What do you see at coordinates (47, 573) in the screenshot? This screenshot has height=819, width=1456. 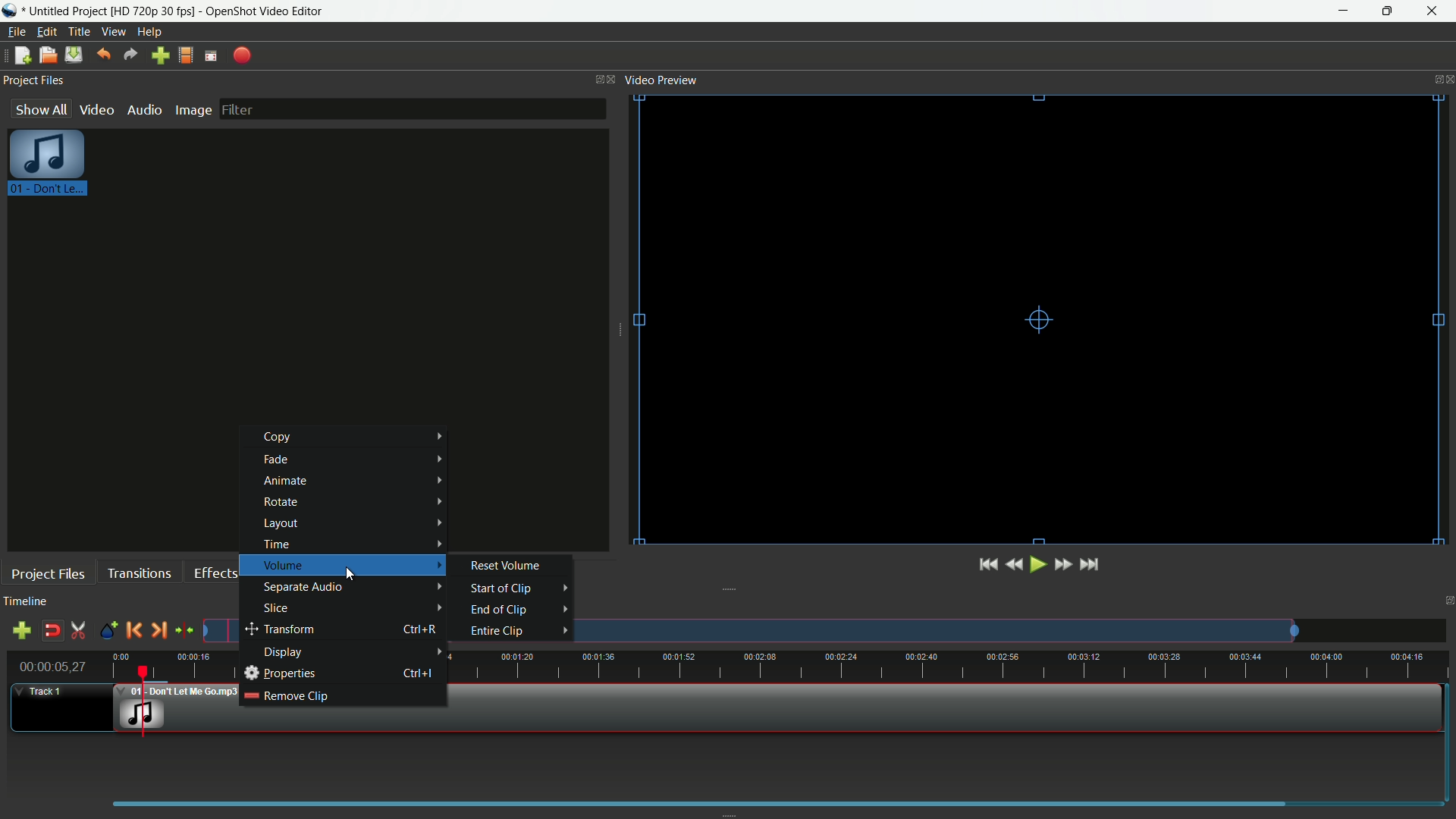 I see `project files` at bounding box center [47, 573].